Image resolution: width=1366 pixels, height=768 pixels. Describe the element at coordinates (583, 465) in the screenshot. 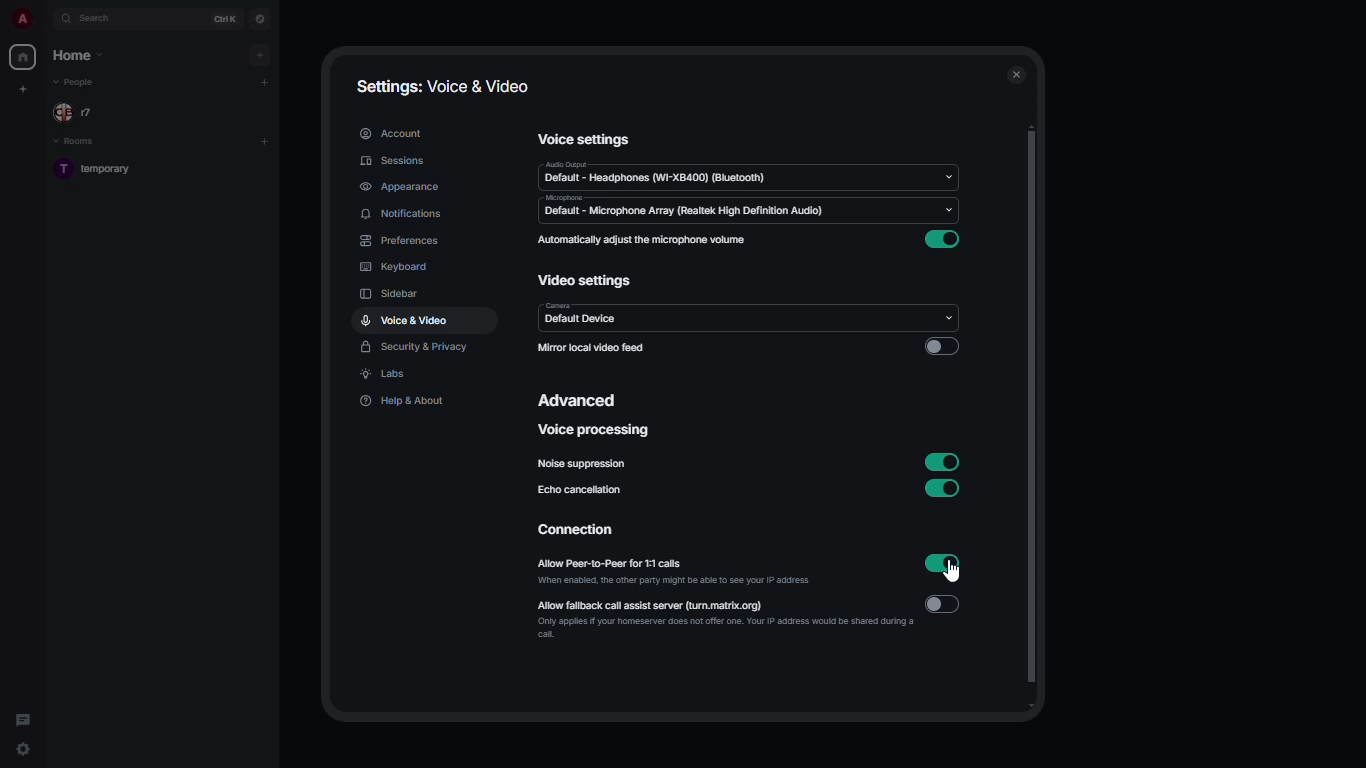

I see `noise suppression` at that location.